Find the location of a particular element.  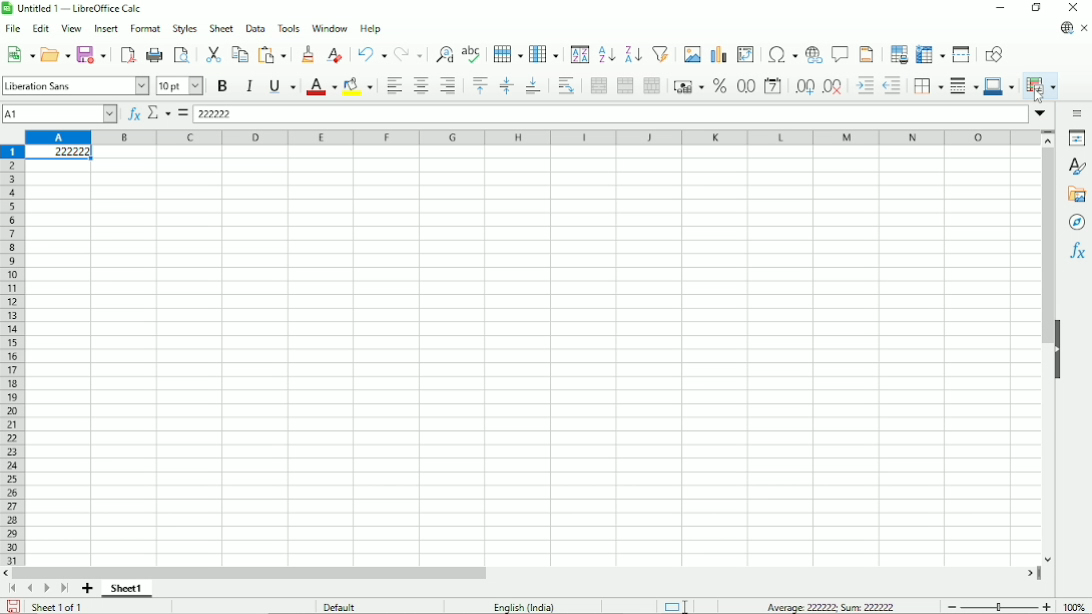

cursor is located at coordinates (1038, 96).